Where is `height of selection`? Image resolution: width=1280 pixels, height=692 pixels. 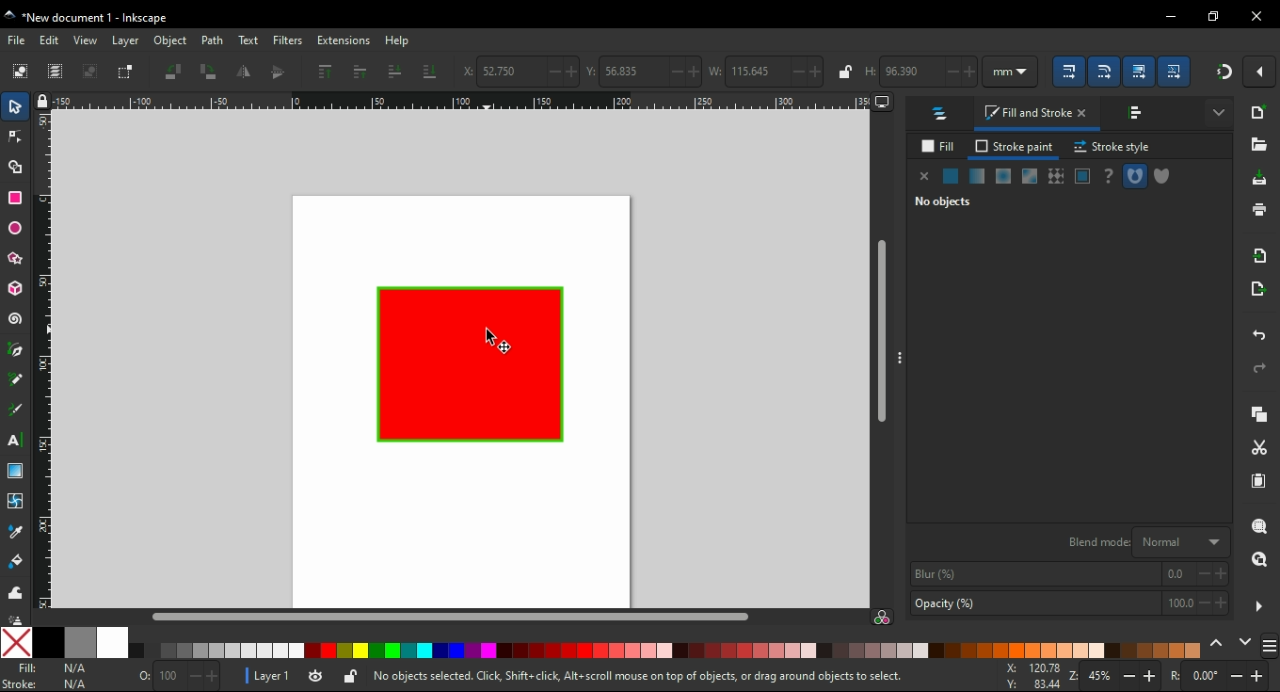 height of selection is located at coordinates (870, 70).